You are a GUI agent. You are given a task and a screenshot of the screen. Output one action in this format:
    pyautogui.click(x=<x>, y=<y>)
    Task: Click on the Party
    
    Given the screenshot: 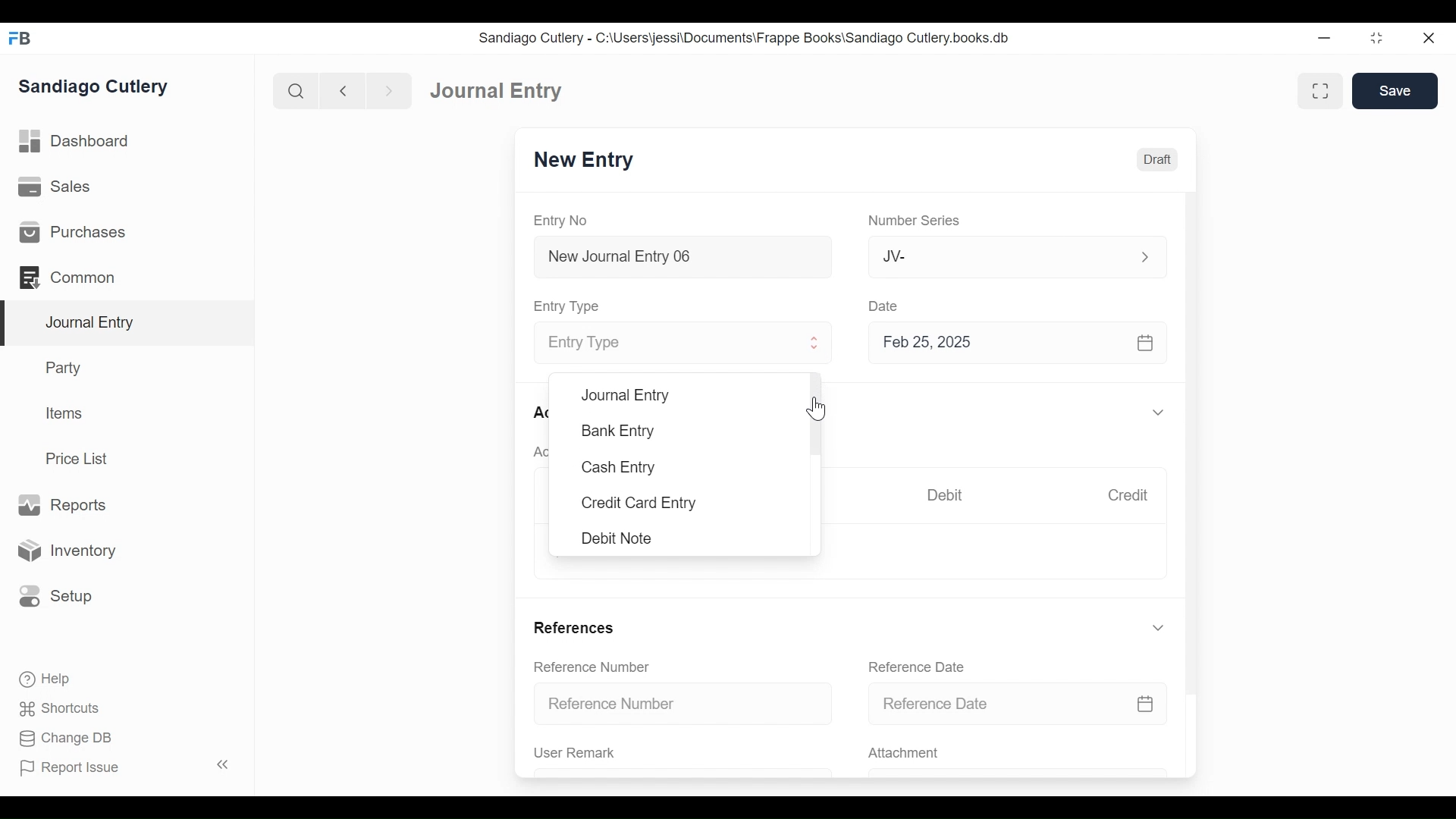 What is the action you would take?
    pyautogui.click(x=67, y=367)
    